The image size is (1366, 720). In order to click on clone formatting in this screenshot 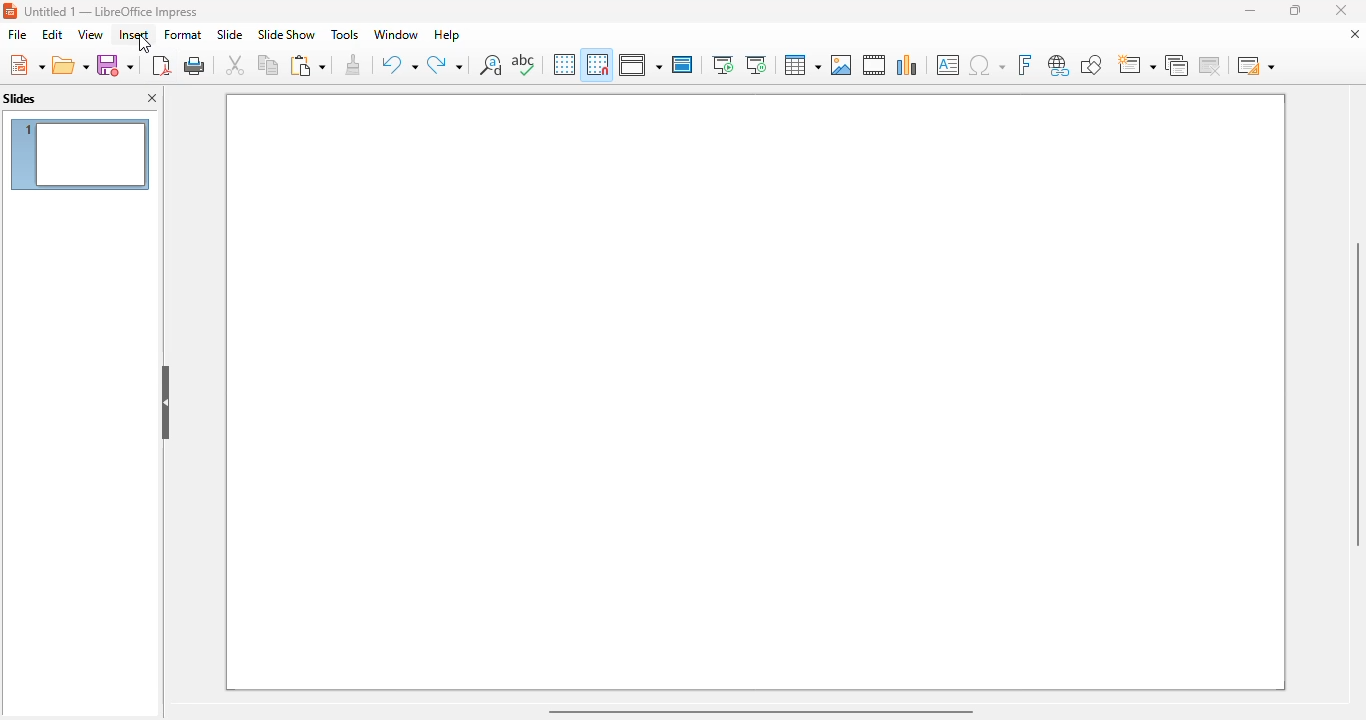, I will do `click(354, 65)`.